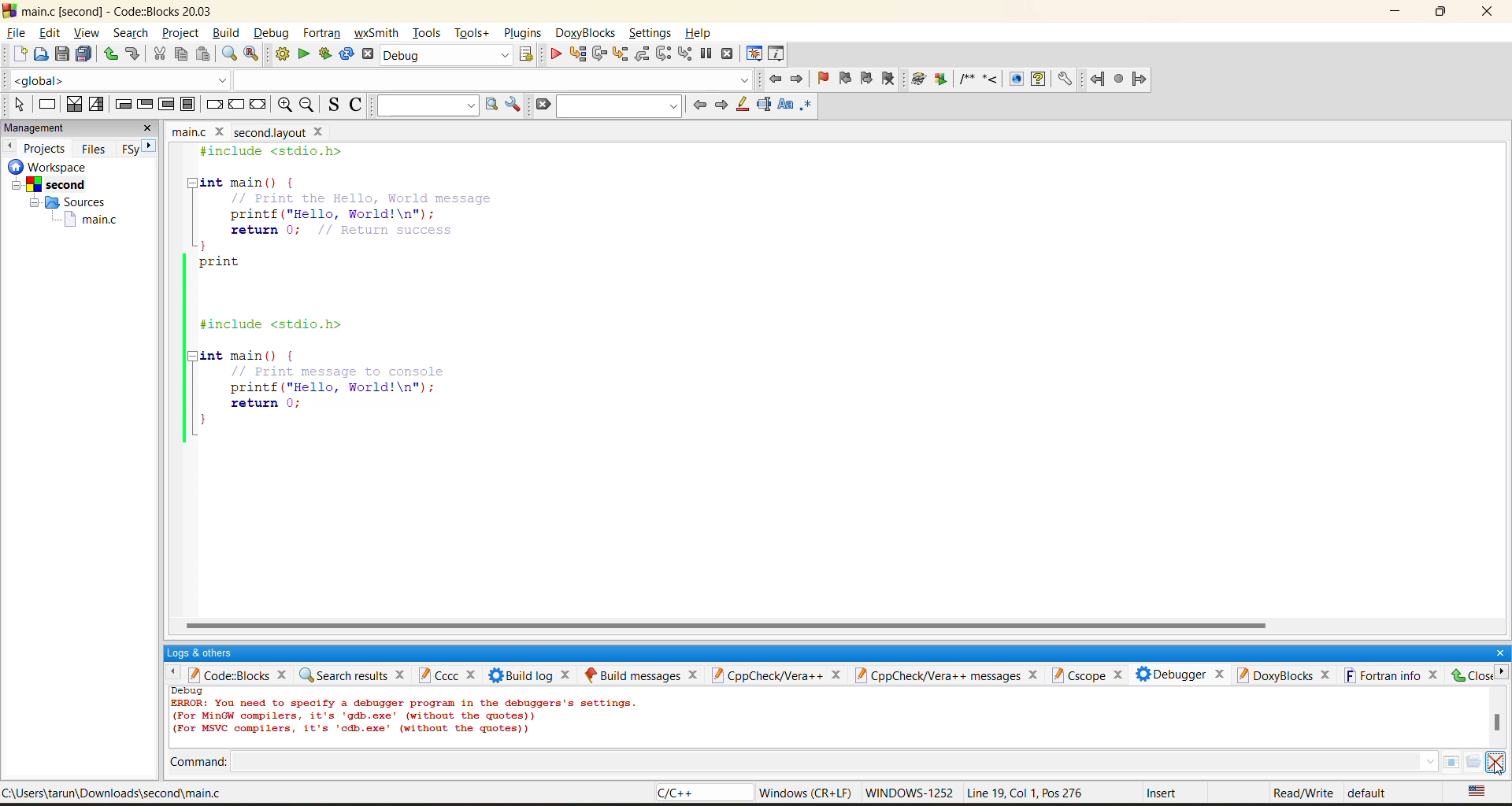 The width and height of the screenshot is (1512, 806). Describe the element at coordinates (699, 33) in the screenshot. I see `help` at that location.